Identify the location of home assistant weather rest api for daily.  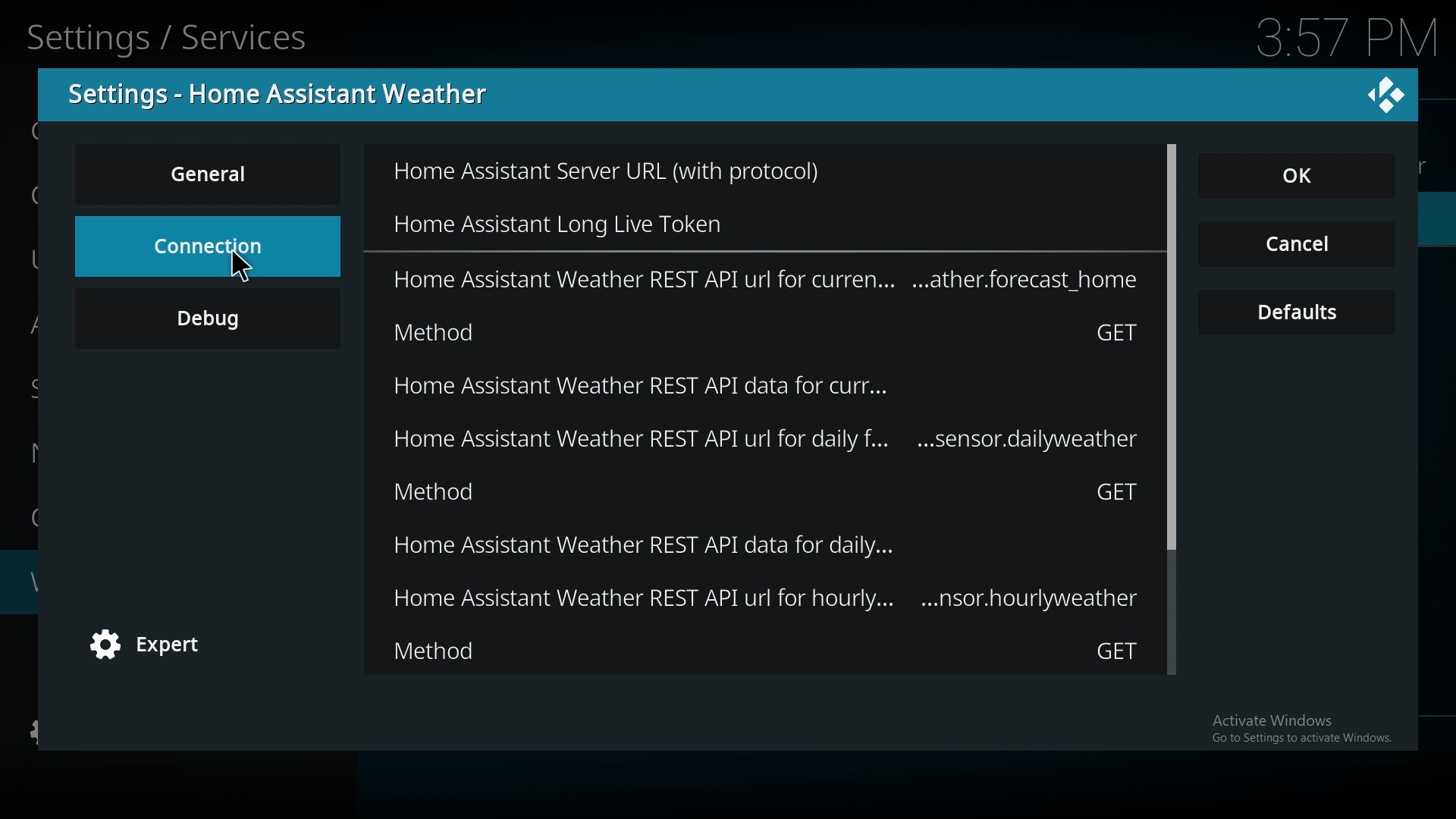
(767, 547).